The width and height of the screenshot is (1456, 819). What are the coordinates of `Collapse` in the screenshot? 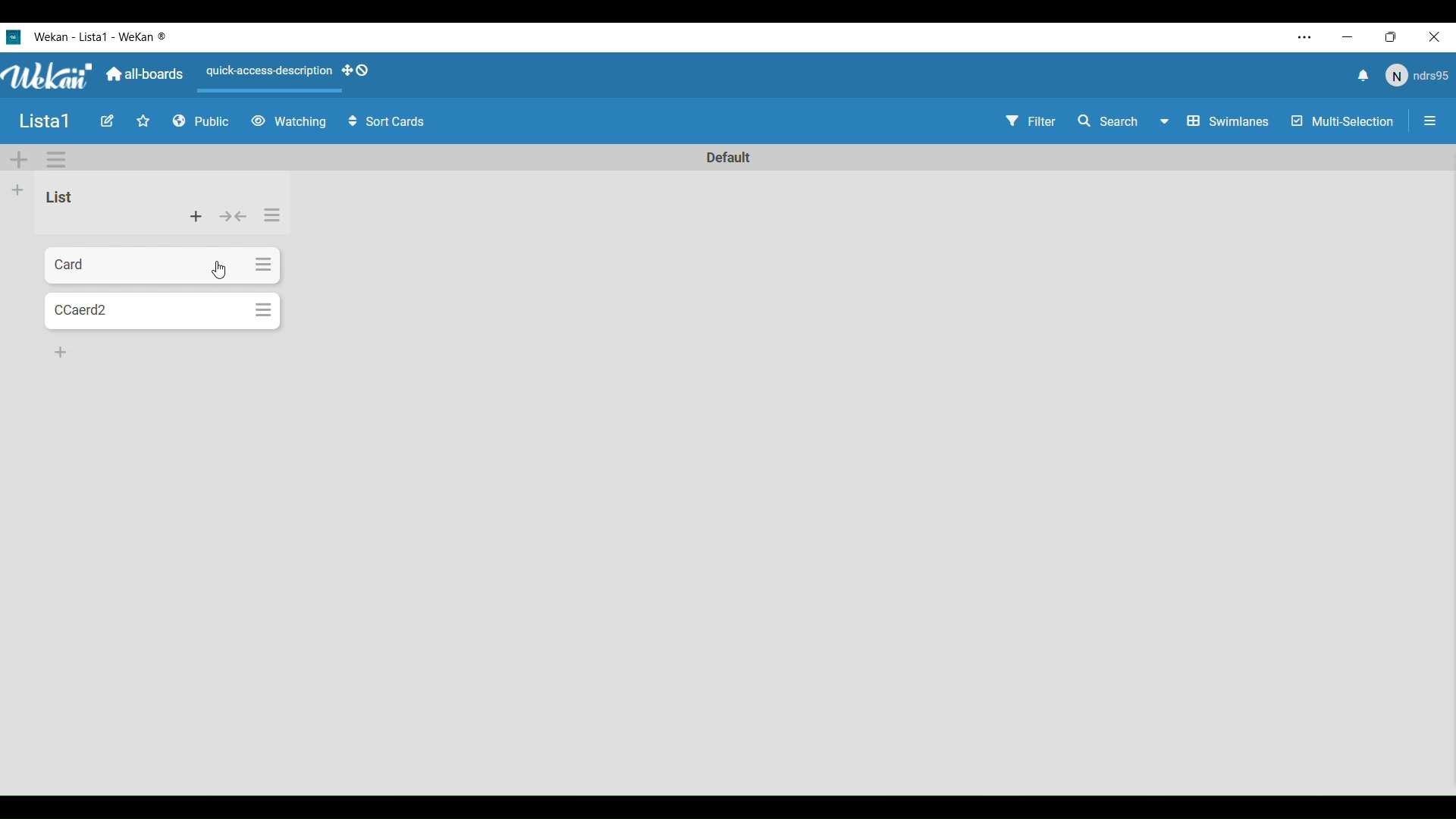 It's located at (233, 216).